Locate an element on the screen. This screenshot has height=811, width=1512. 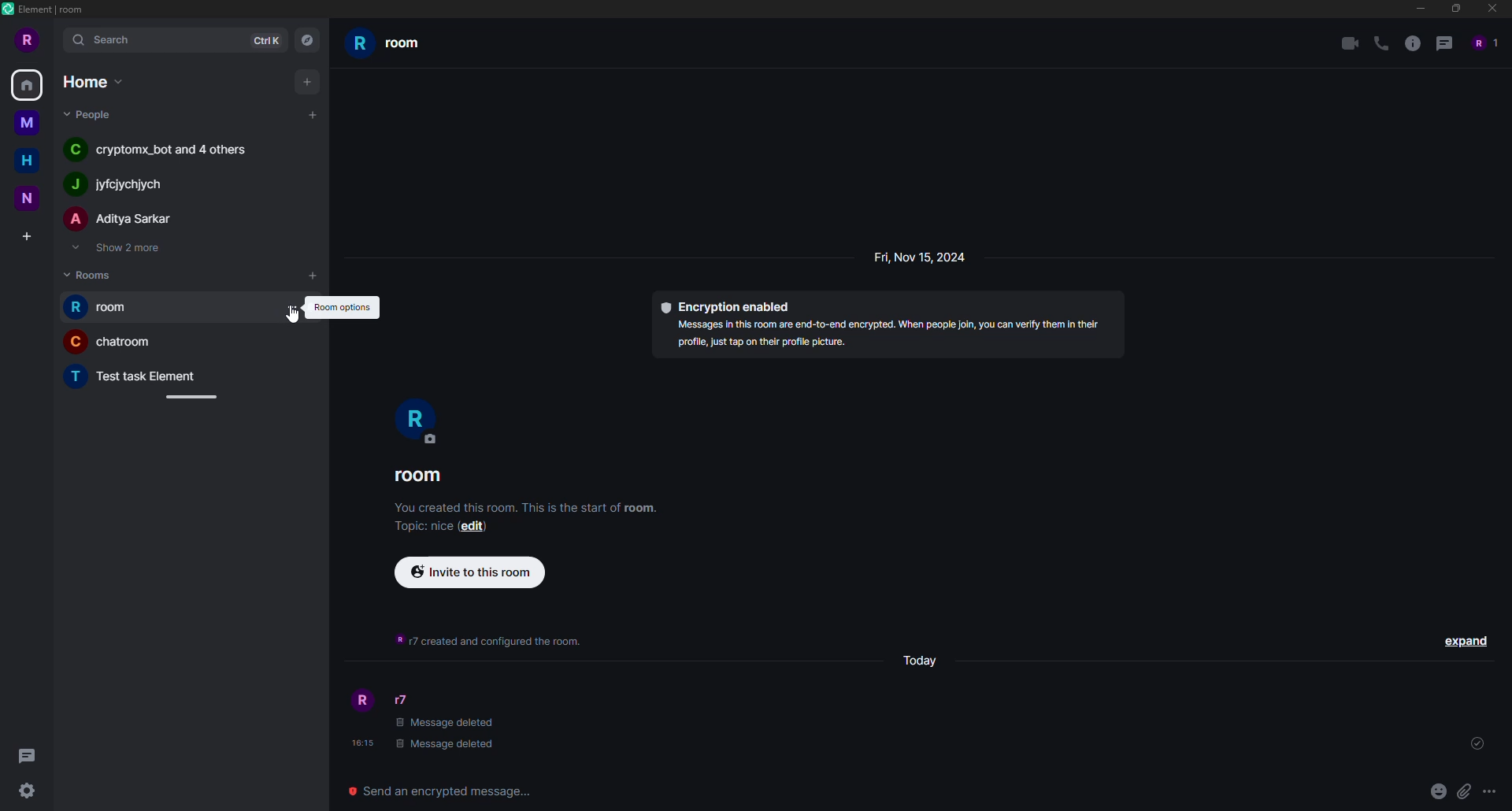
| Message deleted is located at coordinates (451, 743).